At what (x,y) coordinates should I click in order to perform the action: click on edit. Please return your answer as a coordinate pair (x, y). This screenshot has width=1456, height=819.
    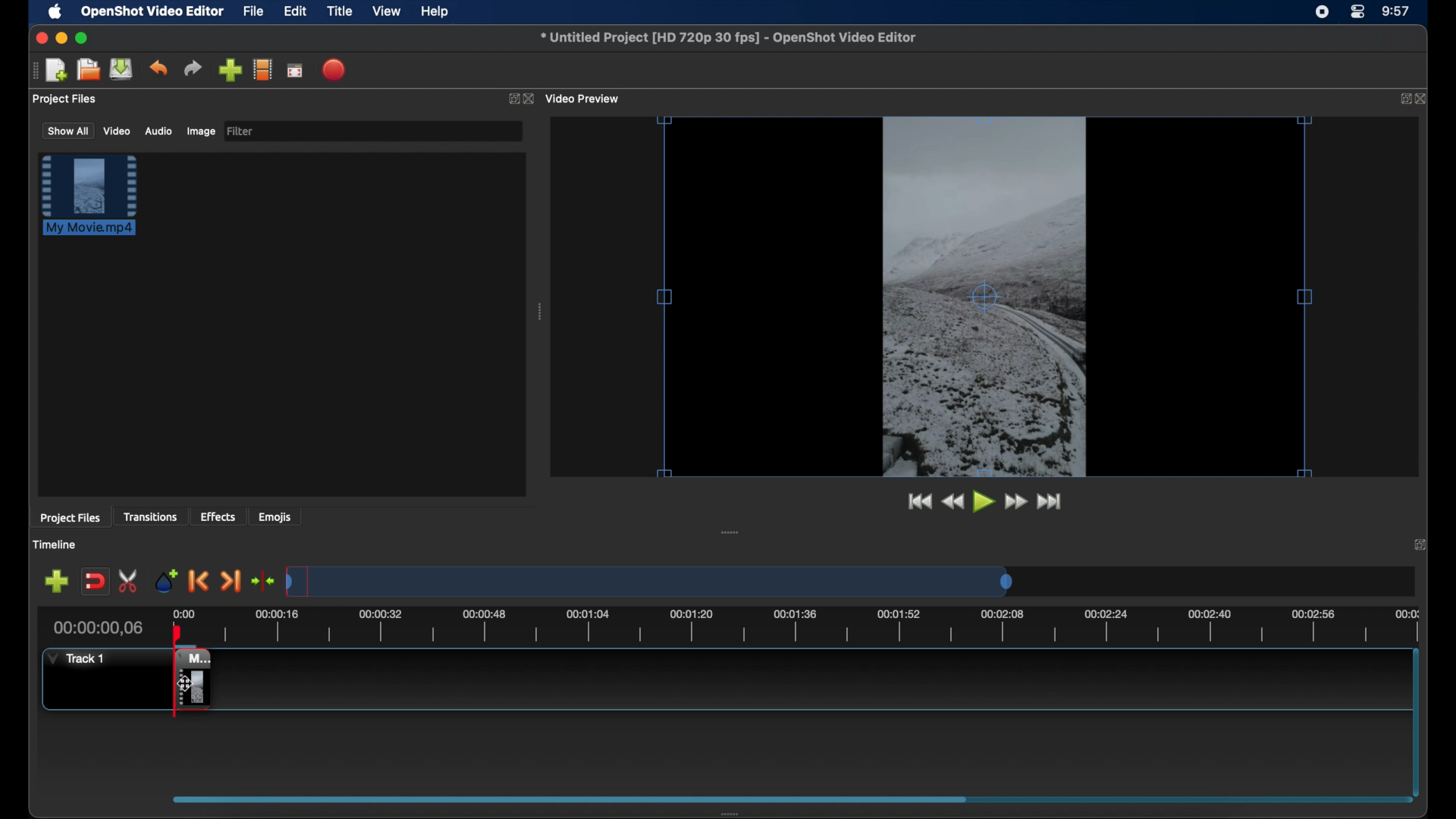
    Looking at the image, I should click on (295, 12).